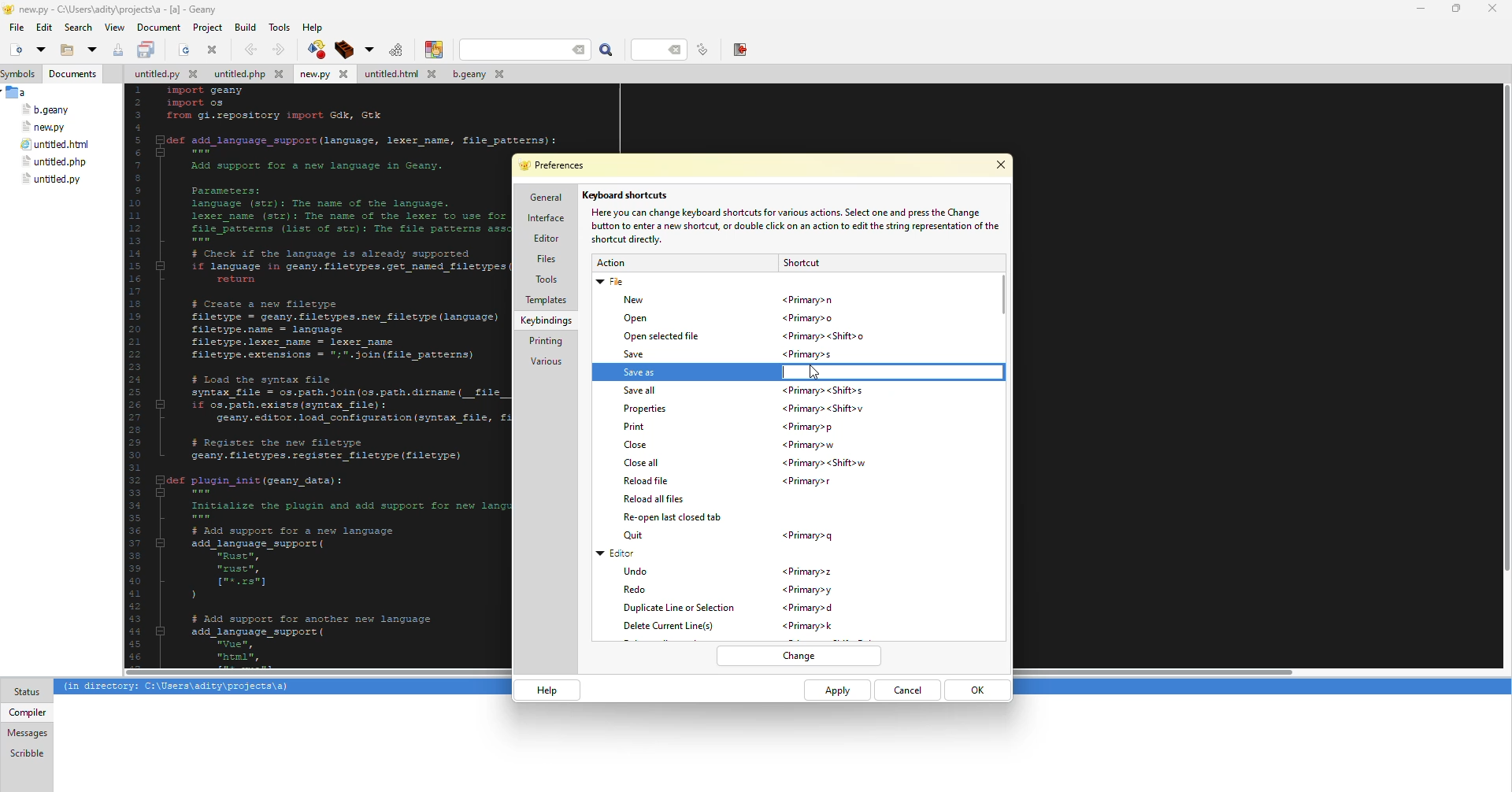  What do you see at coordinates (636, 445) in the screenshot?
I see `close` at bounding box center [636, 445].